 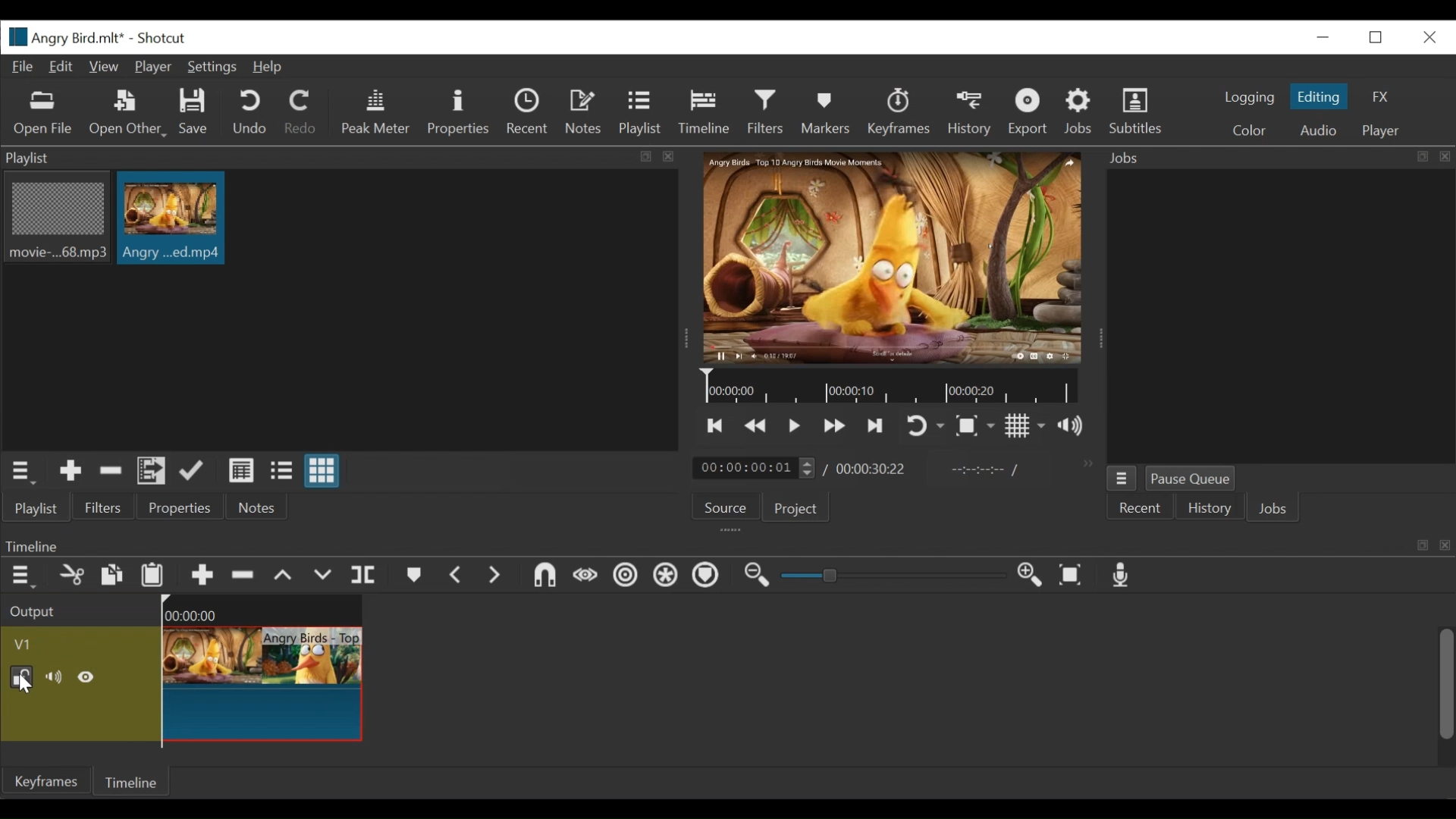 What do you see at coordinates (243, 576) in the screenshot?
I see `Ripple Delete` at bounding box center [243, 576].